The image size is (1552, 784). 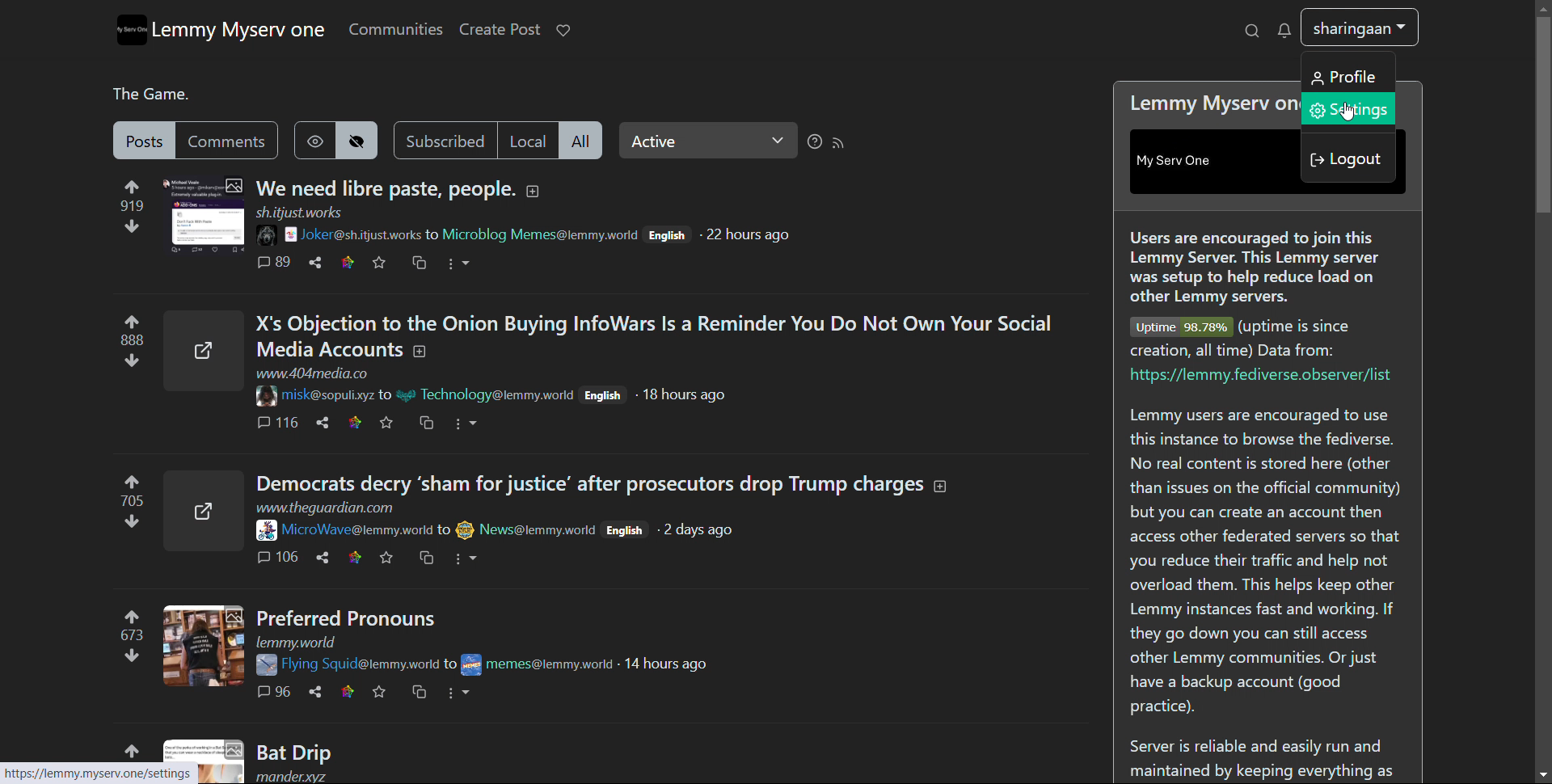 I want to click on cross post, so click(x=427, y=425).